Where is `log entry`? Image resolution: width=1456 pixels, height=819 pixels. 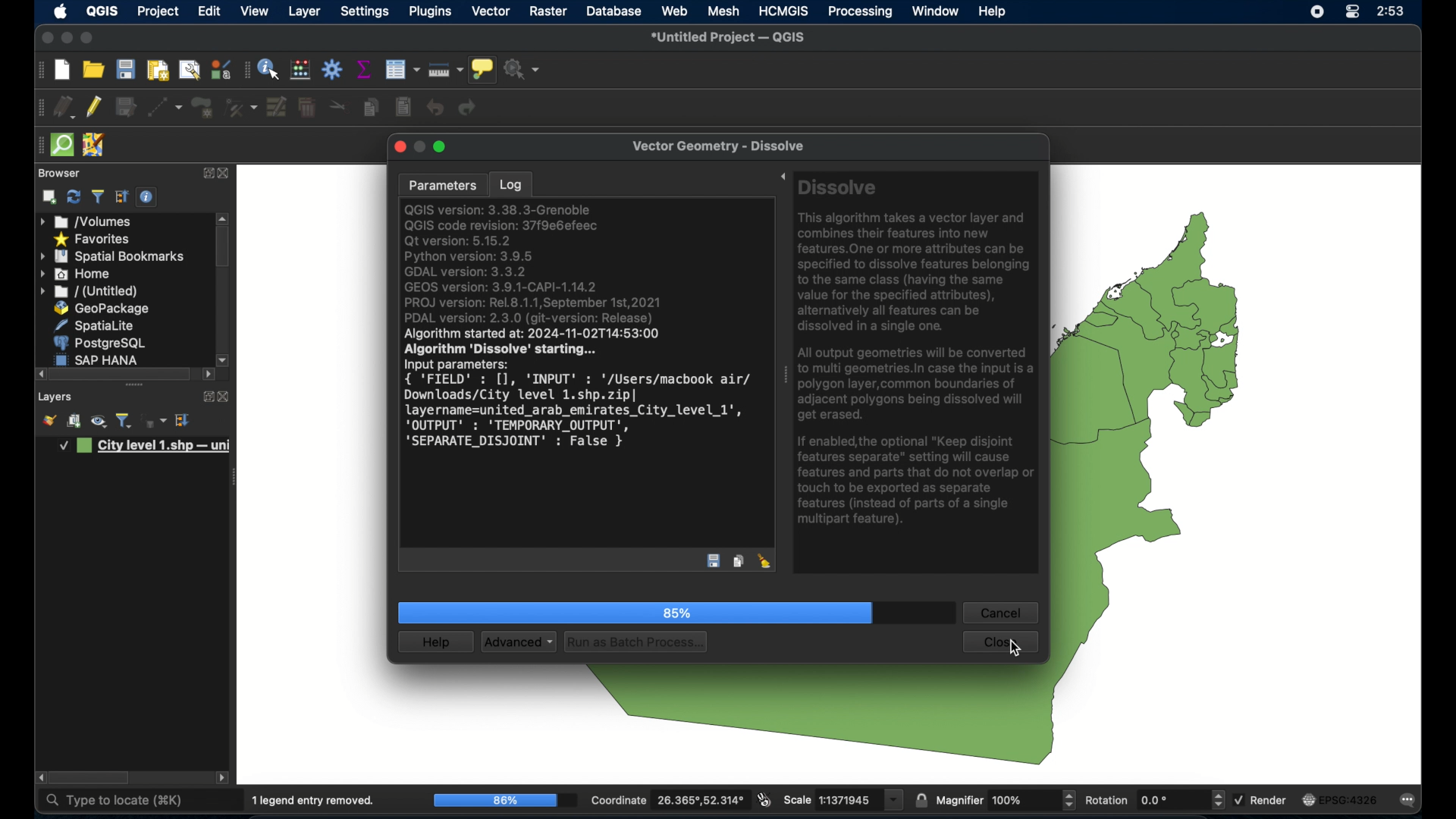 log entry is located at coordinates (583, 336).